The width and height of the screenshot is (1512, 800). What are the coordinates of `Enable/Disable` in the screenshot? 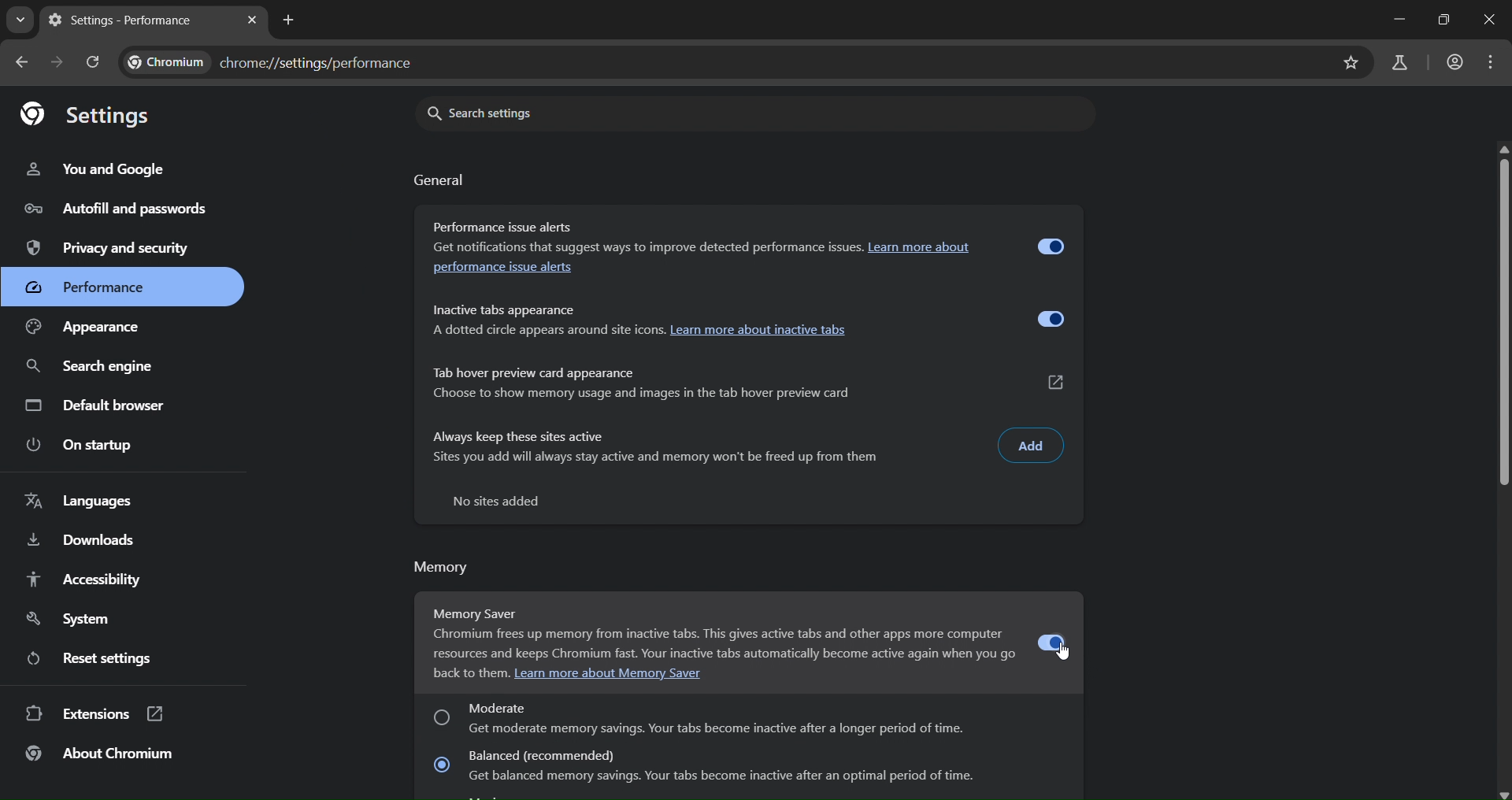 It's located at (1049, 320).